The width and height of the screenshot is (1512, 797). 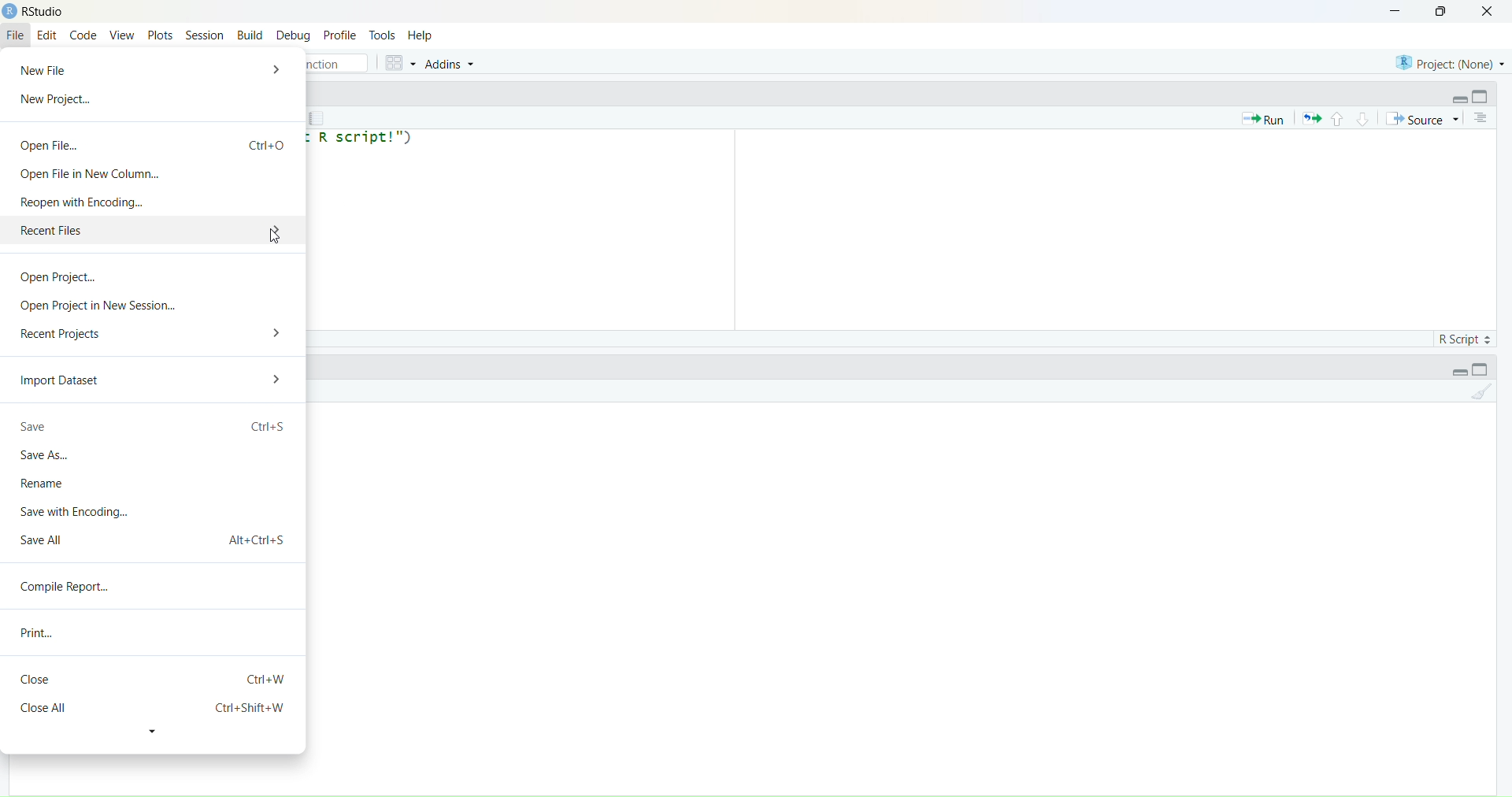 What do you see at coordinates (1483, 96) in the screenshot?
I see `Maximize/Restore` at bounding box center [1483, 96].